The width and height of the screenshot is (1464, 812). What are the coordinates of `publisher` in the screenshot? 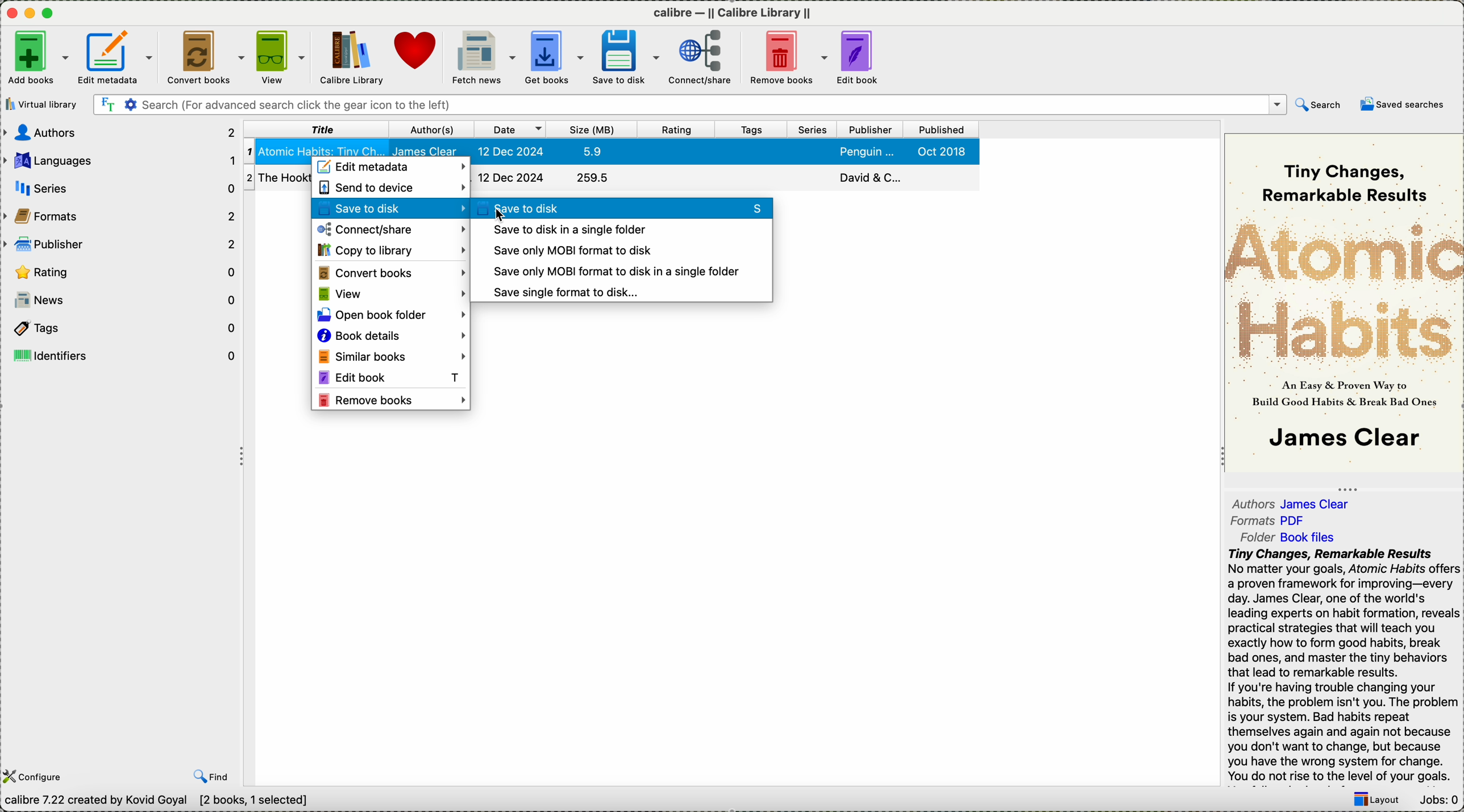 It's located at (120, 245).